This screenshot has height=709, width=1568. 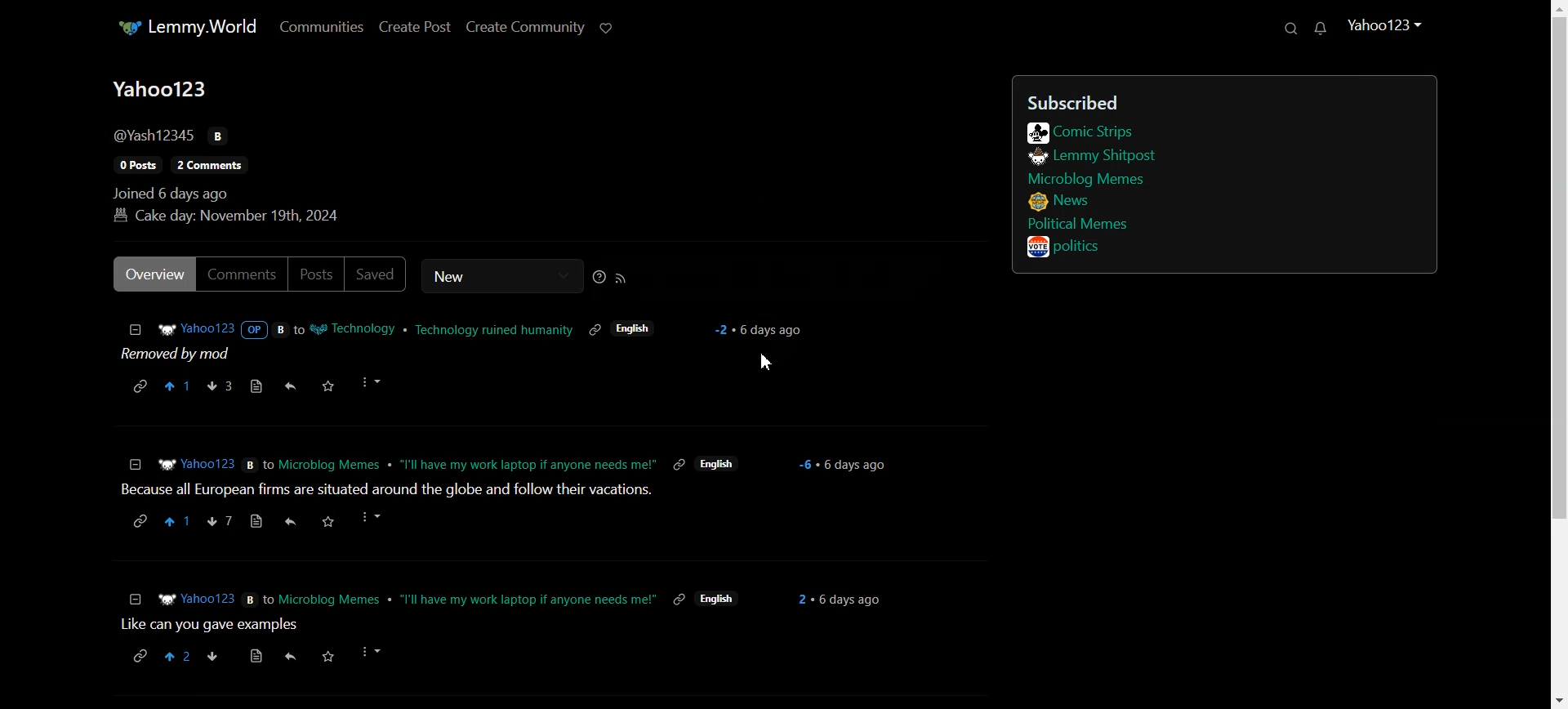 I want to click on cama Soca, so click(x=290, y=657).